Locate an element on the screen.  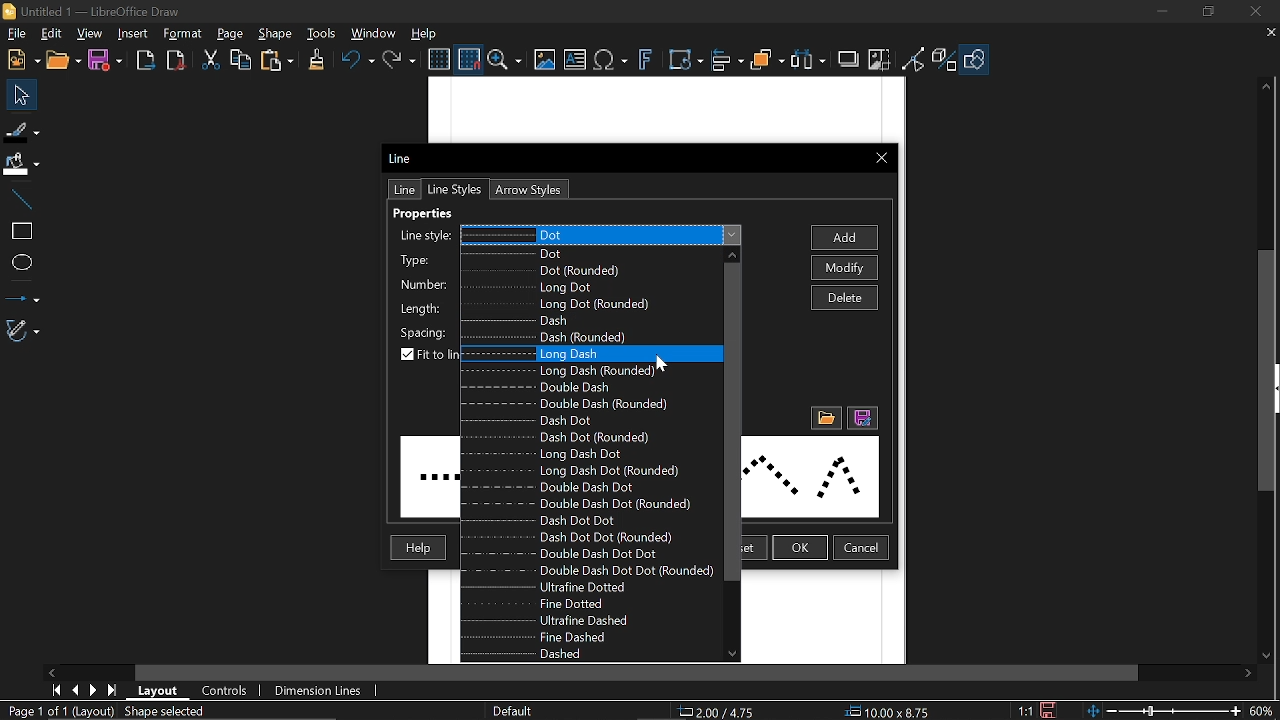
Add is located at coordinates (846, 238).